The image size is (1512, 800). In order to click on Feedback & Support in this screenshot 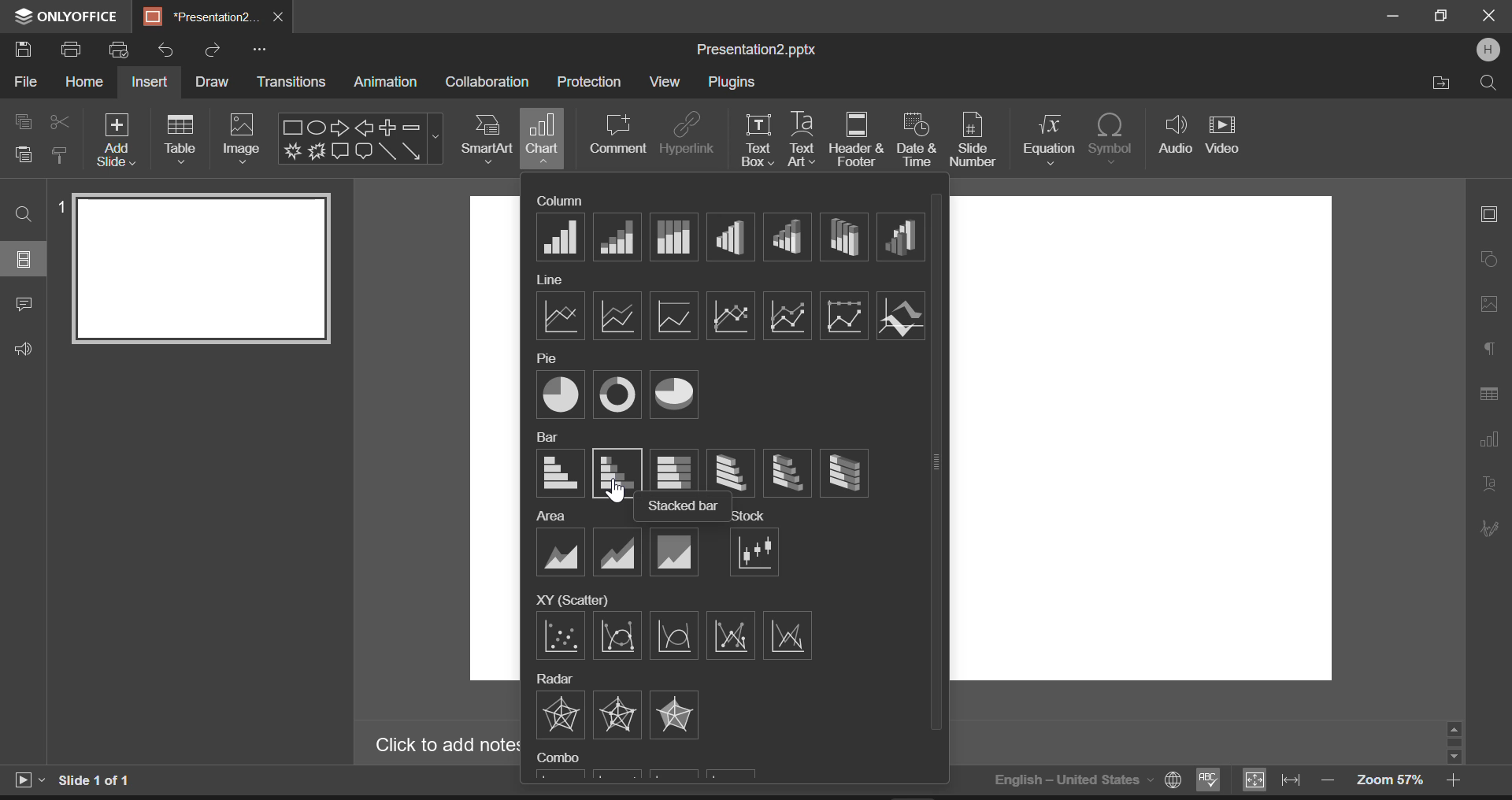, I will do `click(23, 350)`.